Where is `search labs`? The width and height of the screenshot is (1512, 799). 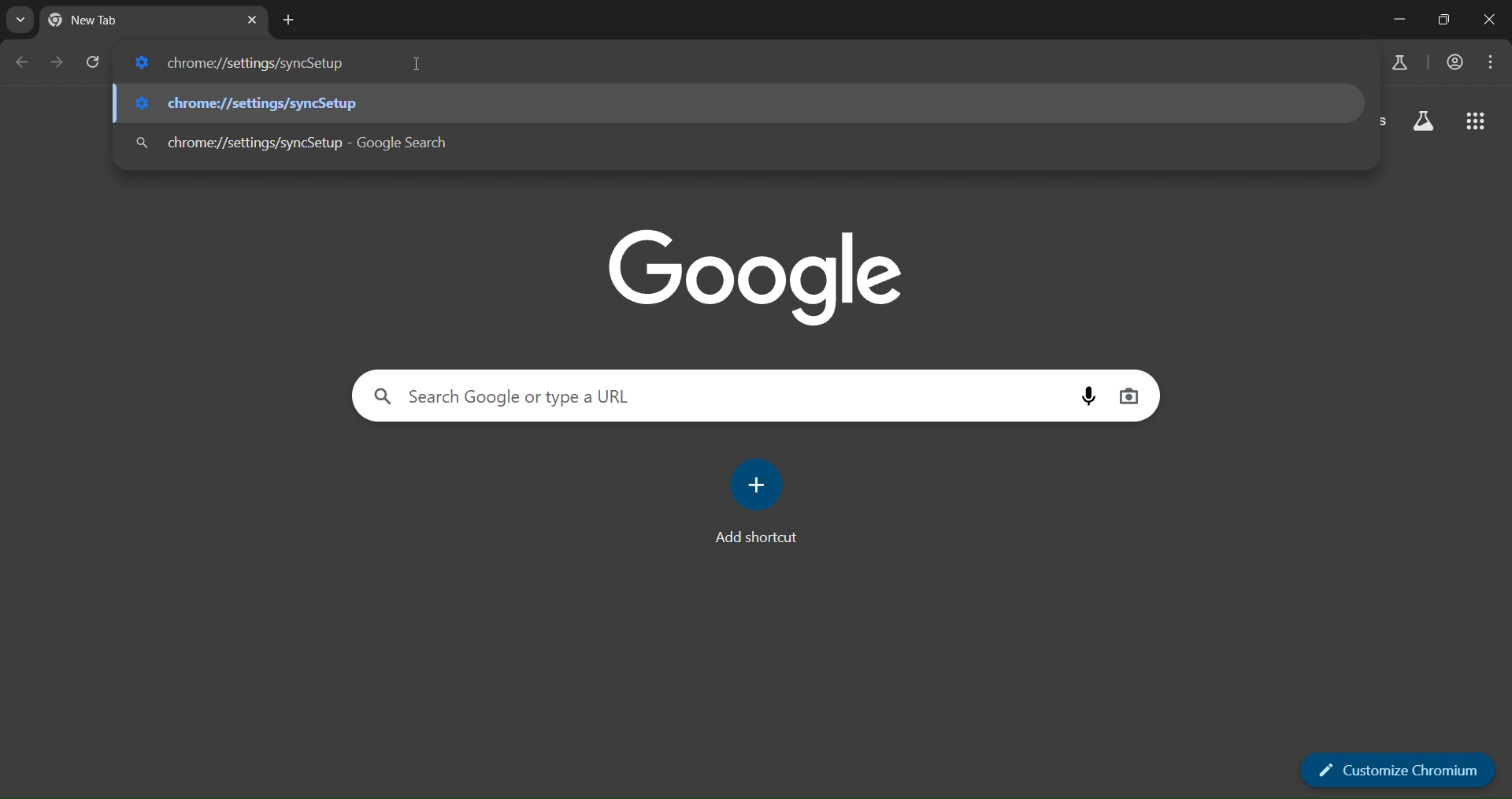 search labs is located at coordinates (1400, 61).